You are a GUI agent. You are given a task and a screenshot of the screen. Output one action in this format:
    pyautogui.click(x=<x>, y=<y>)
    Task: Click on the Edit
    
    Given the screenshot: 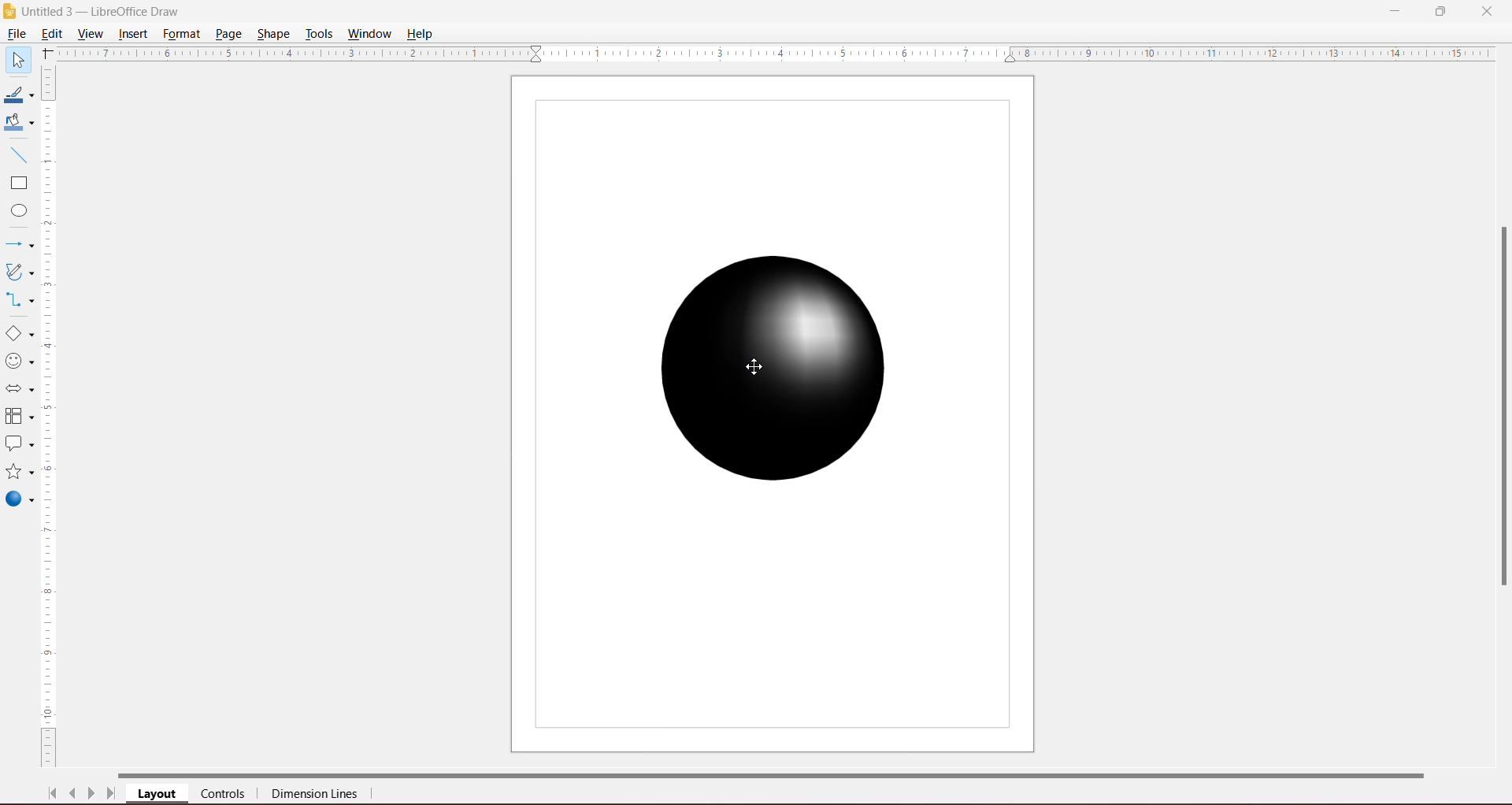 What is the action you would take?
    pyautogui.click(x=55, y=32)
    